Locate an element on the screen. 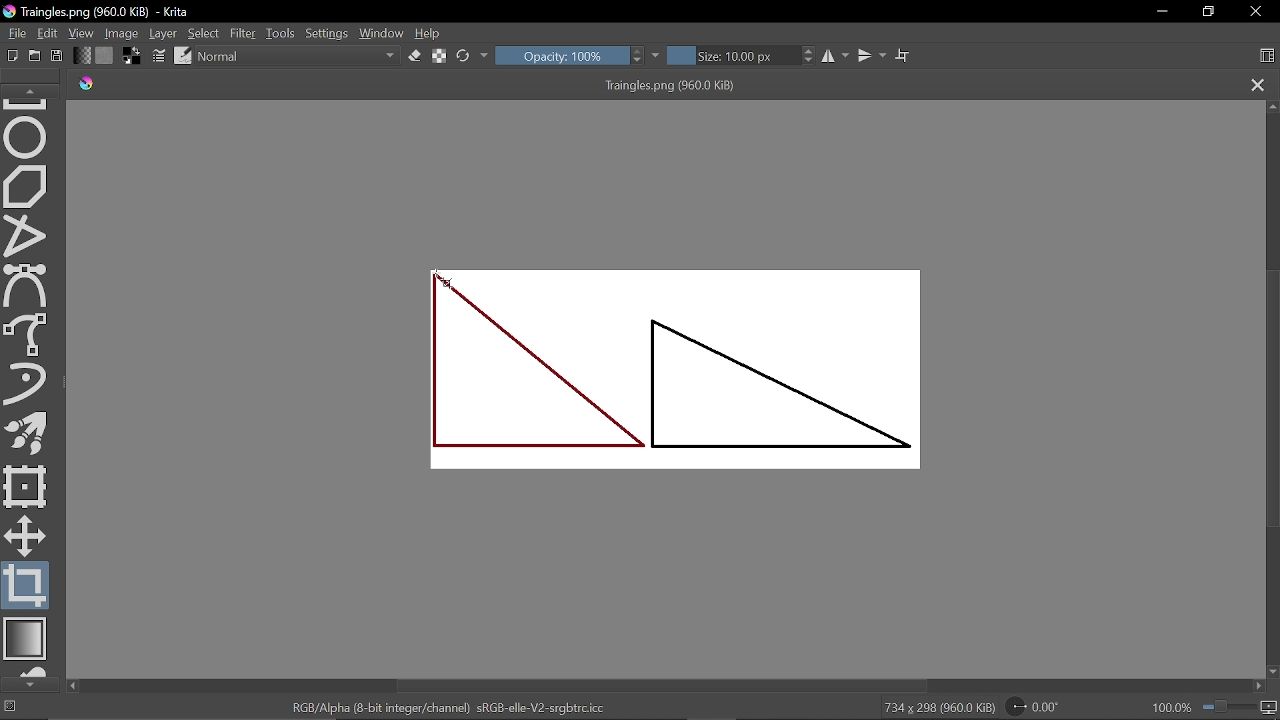 This screenshot has width=1280, height=720. Move a layer is located at coordinates (23, 534).